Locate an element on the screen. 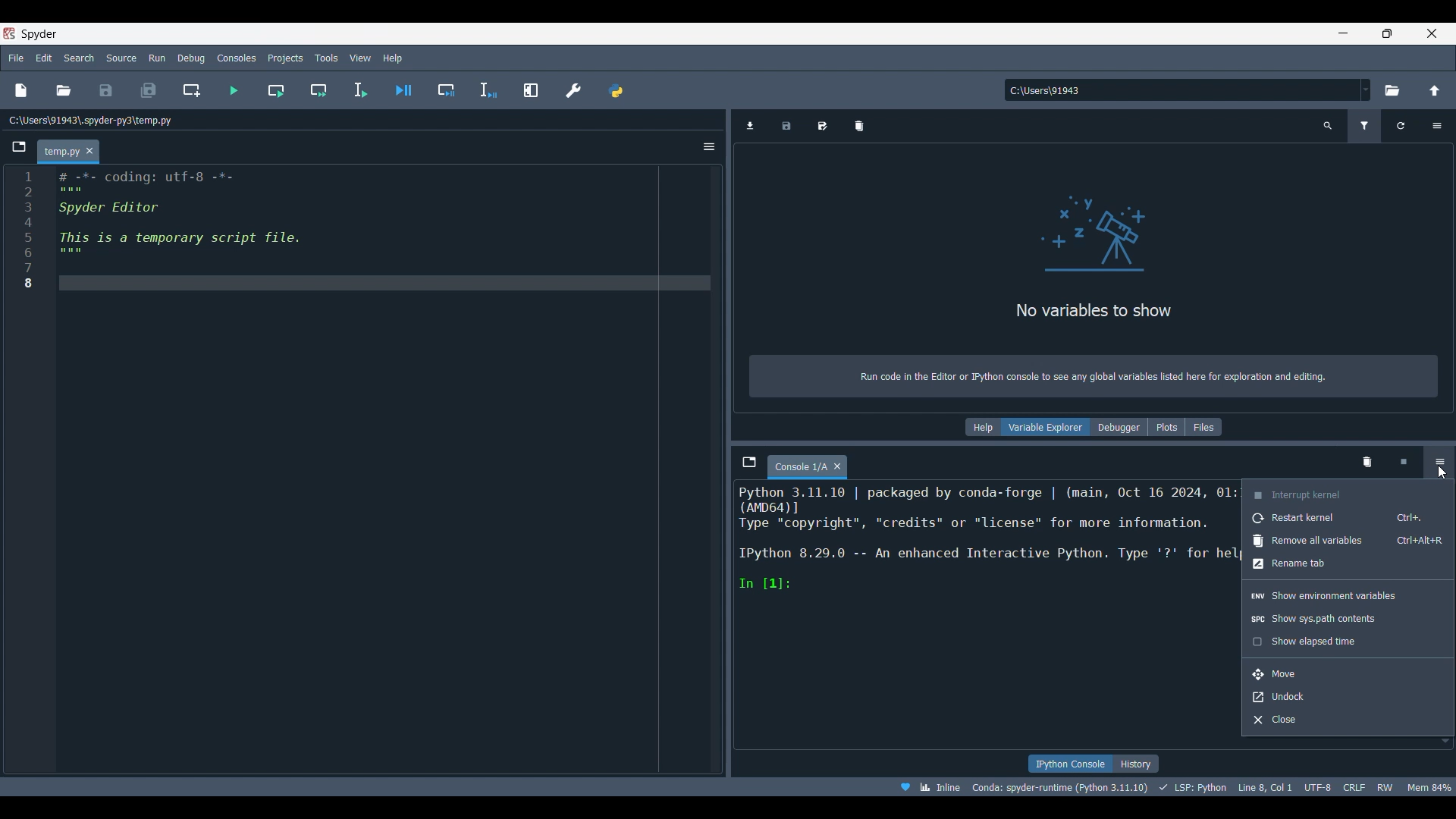 The width and height of the screenshot is (1456, 819).  RW is located at coordinates (1384, 786).